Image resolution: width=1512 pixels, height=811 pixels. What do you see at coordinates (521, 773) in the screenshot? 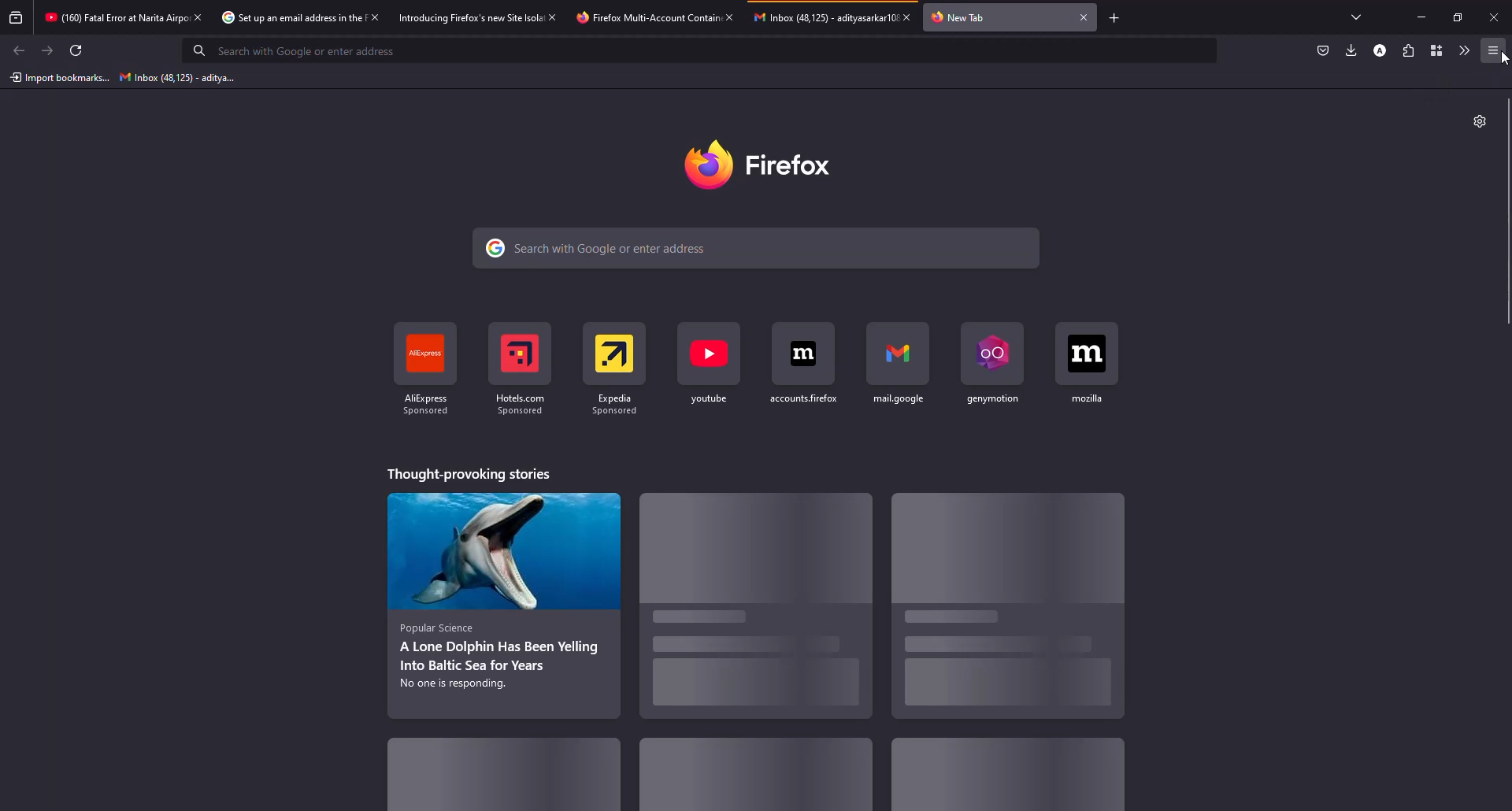
I see `stories` at bounding box center [521, 773].